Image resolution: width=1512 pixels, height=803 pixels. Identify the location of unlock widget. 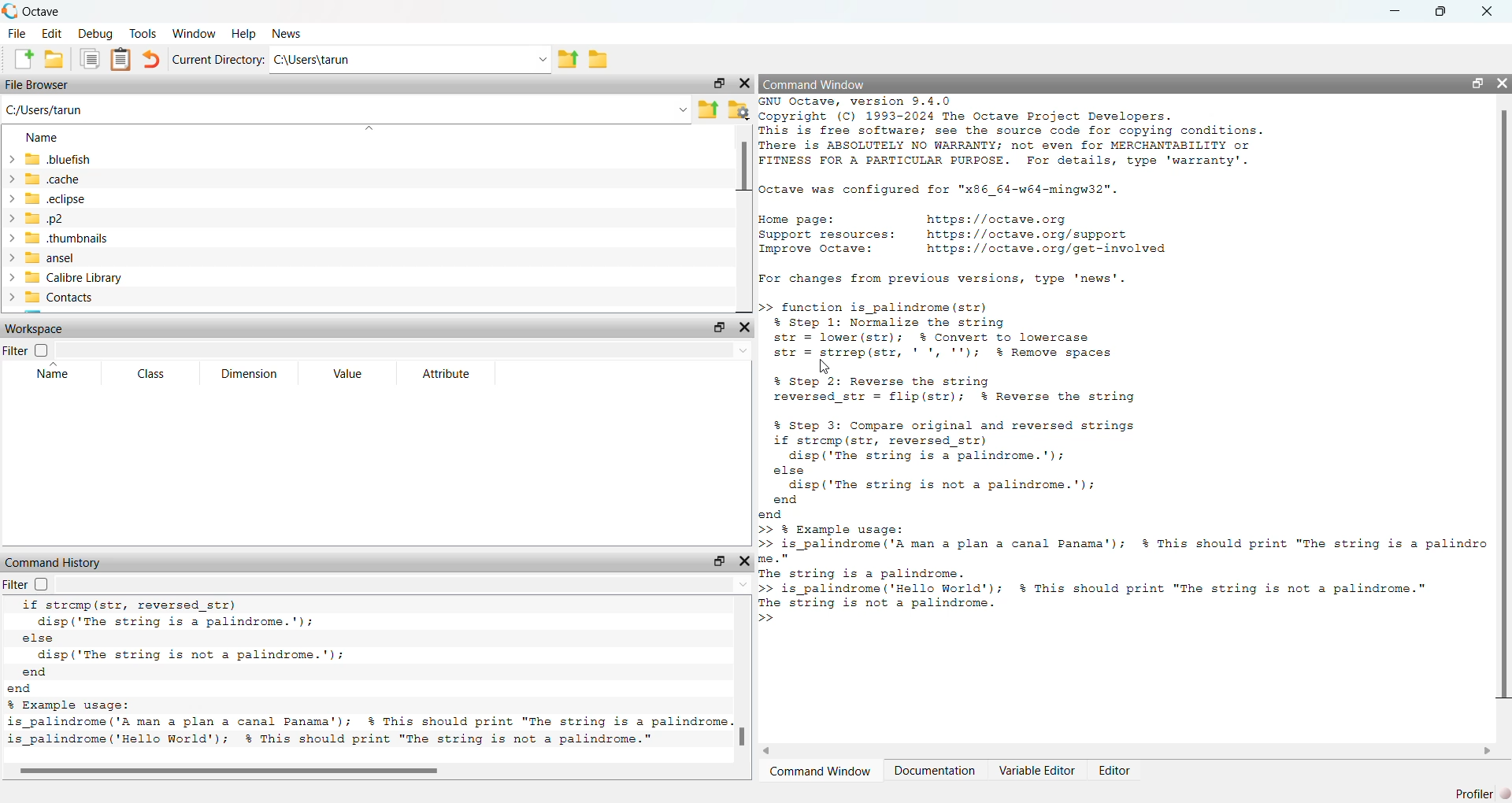
(717, 560).